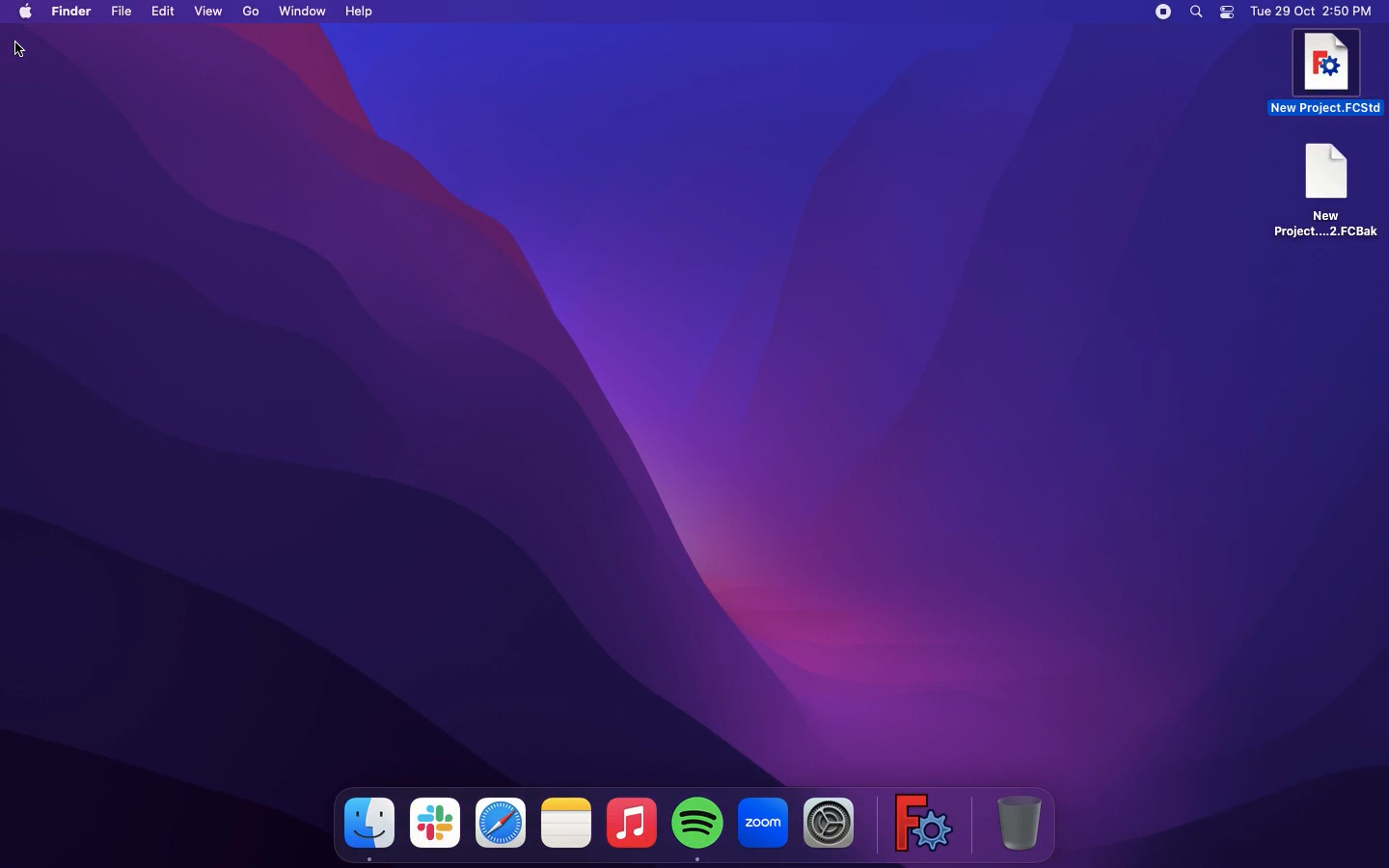  I want to click on Window, so click(304, 11).